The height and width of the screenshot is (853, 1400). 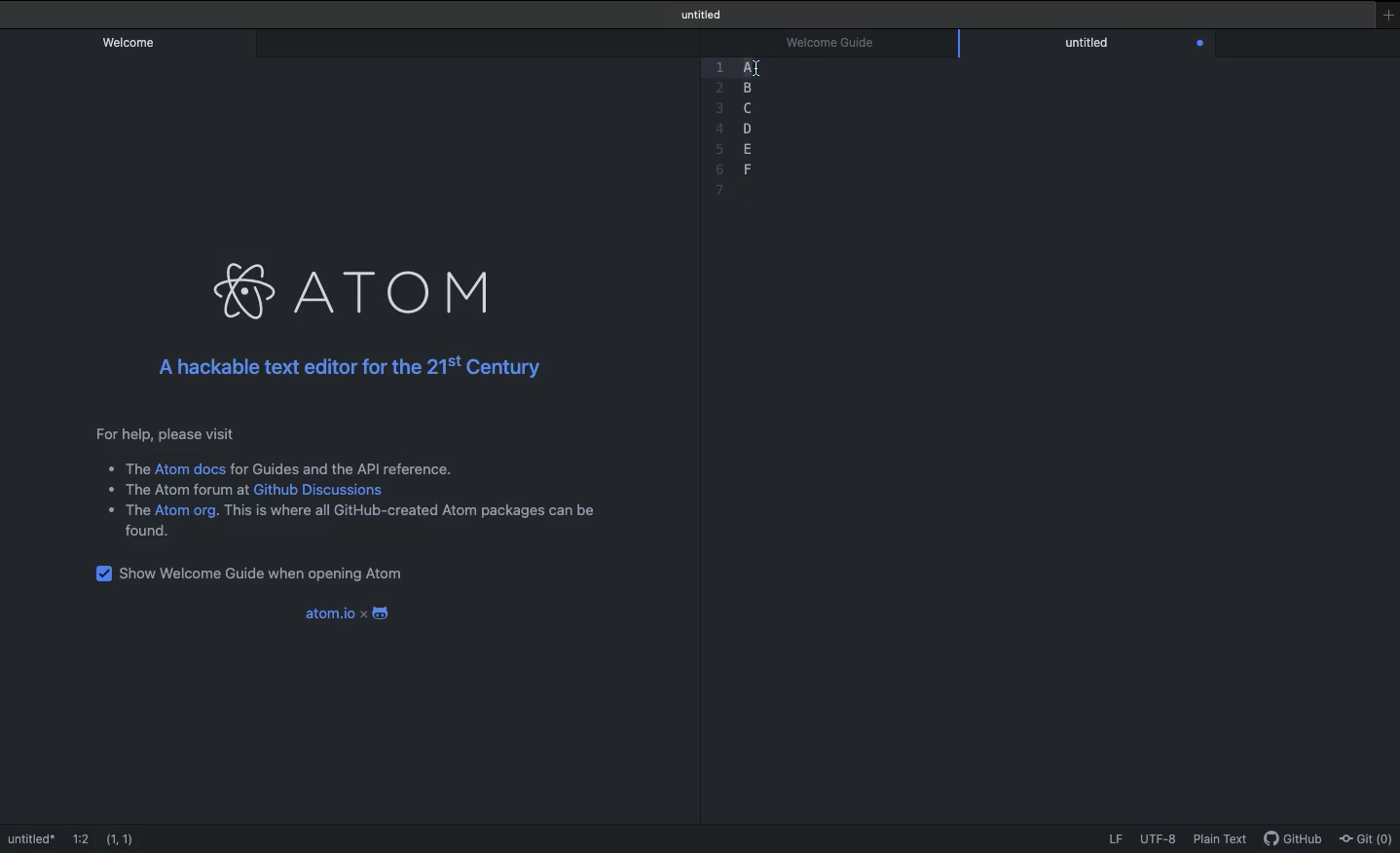 I want to click on LF, so click(x=1119, y=841).